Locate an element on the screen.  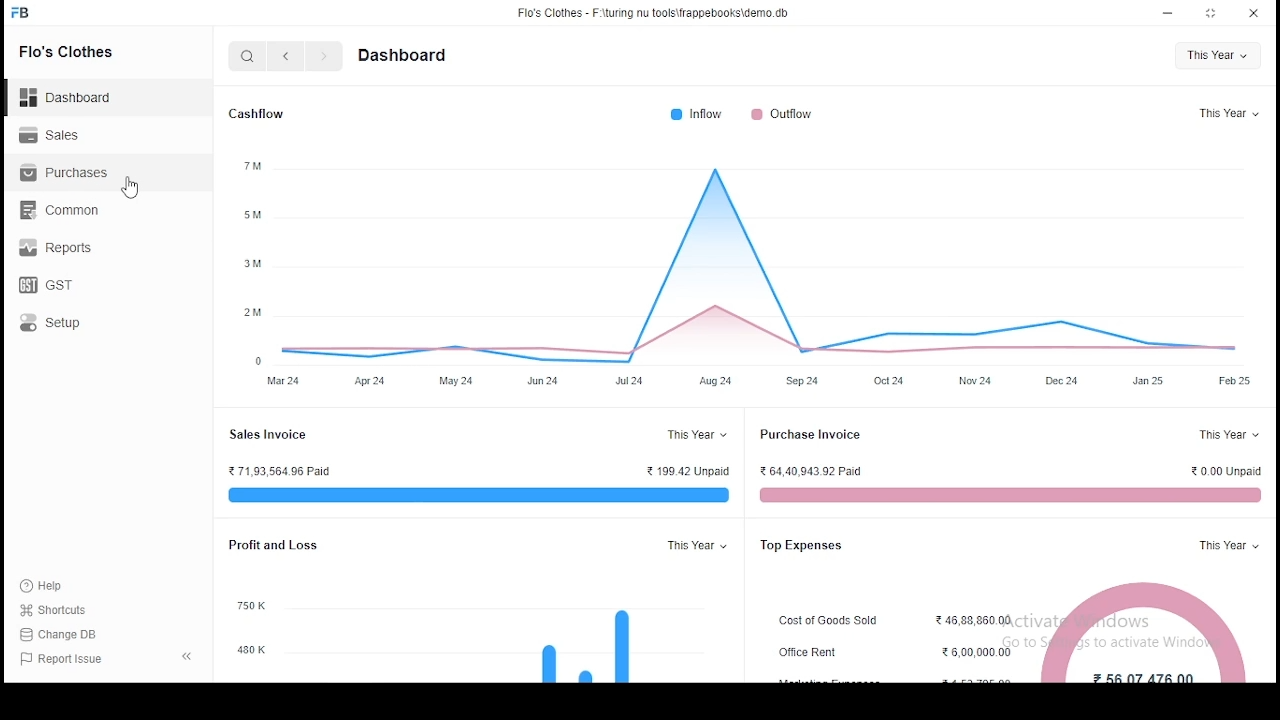
Outflow legend is located at coordinates (781, 114).